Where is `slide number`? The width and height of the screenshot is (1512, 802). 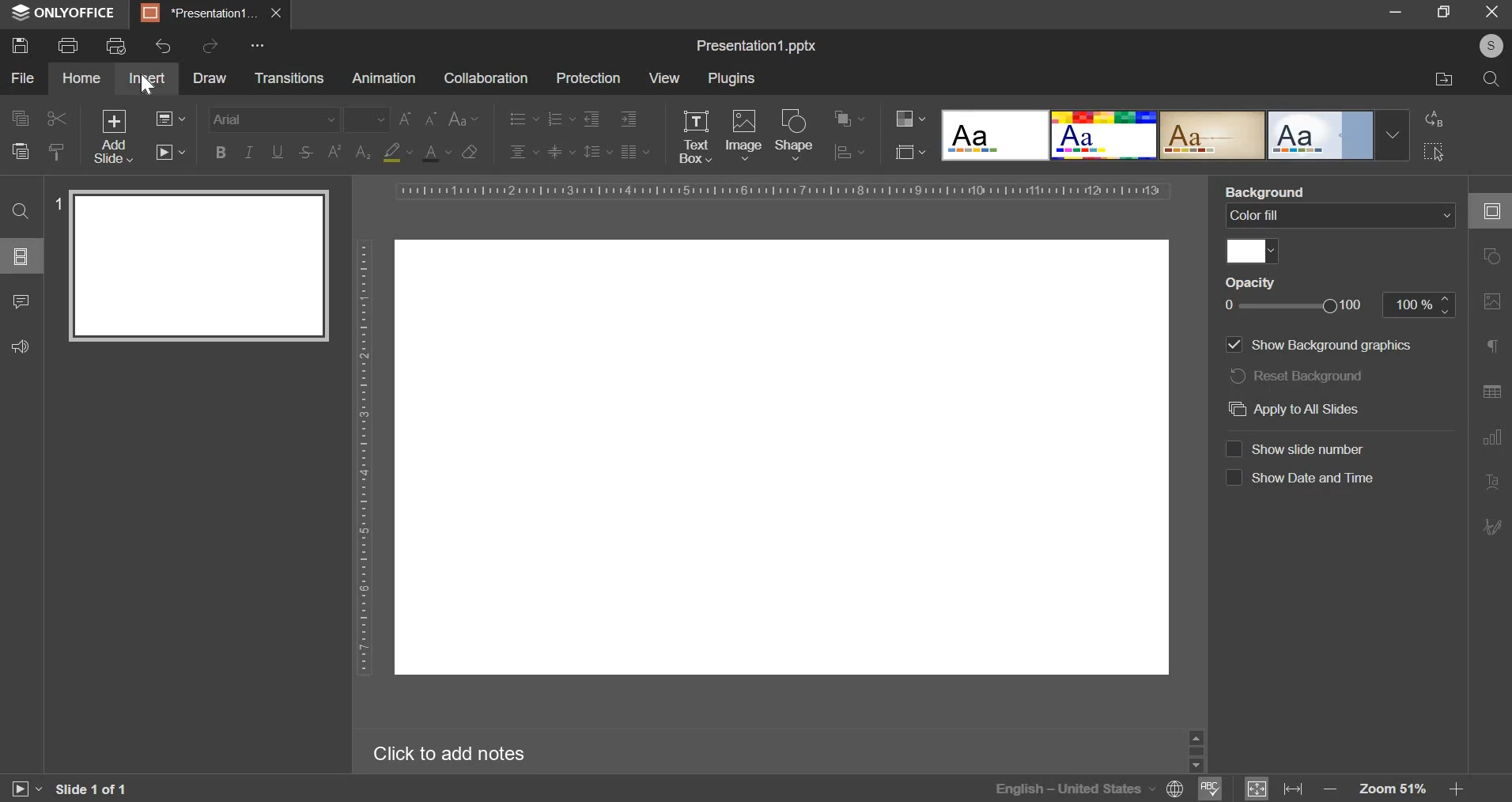 slide number is located at coordinates (56, 202).